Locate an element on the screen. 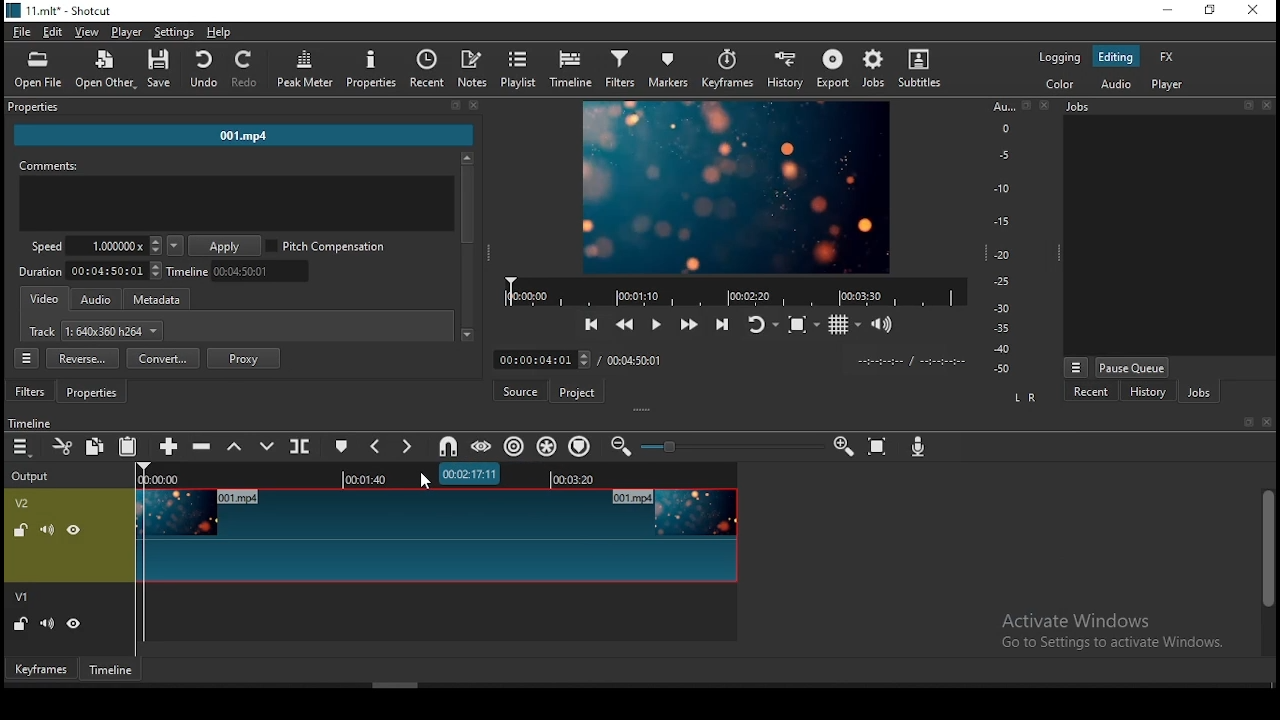  next marker is located at coordinates (407, 448).